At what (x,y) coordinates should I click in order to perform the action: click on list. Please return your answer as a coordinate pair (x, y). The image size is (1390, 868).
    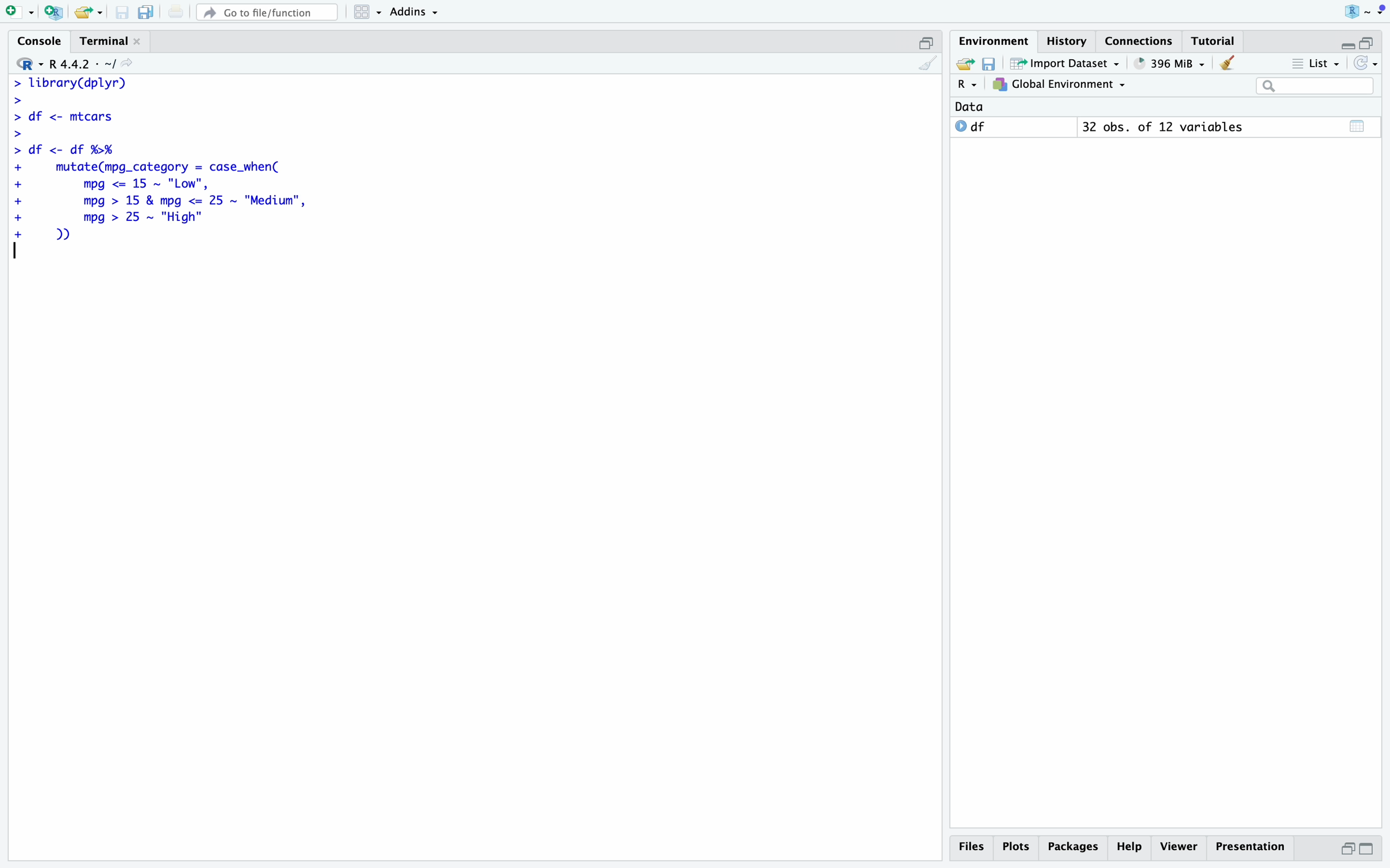
    Looking at the image, I should click on (1316, 63).